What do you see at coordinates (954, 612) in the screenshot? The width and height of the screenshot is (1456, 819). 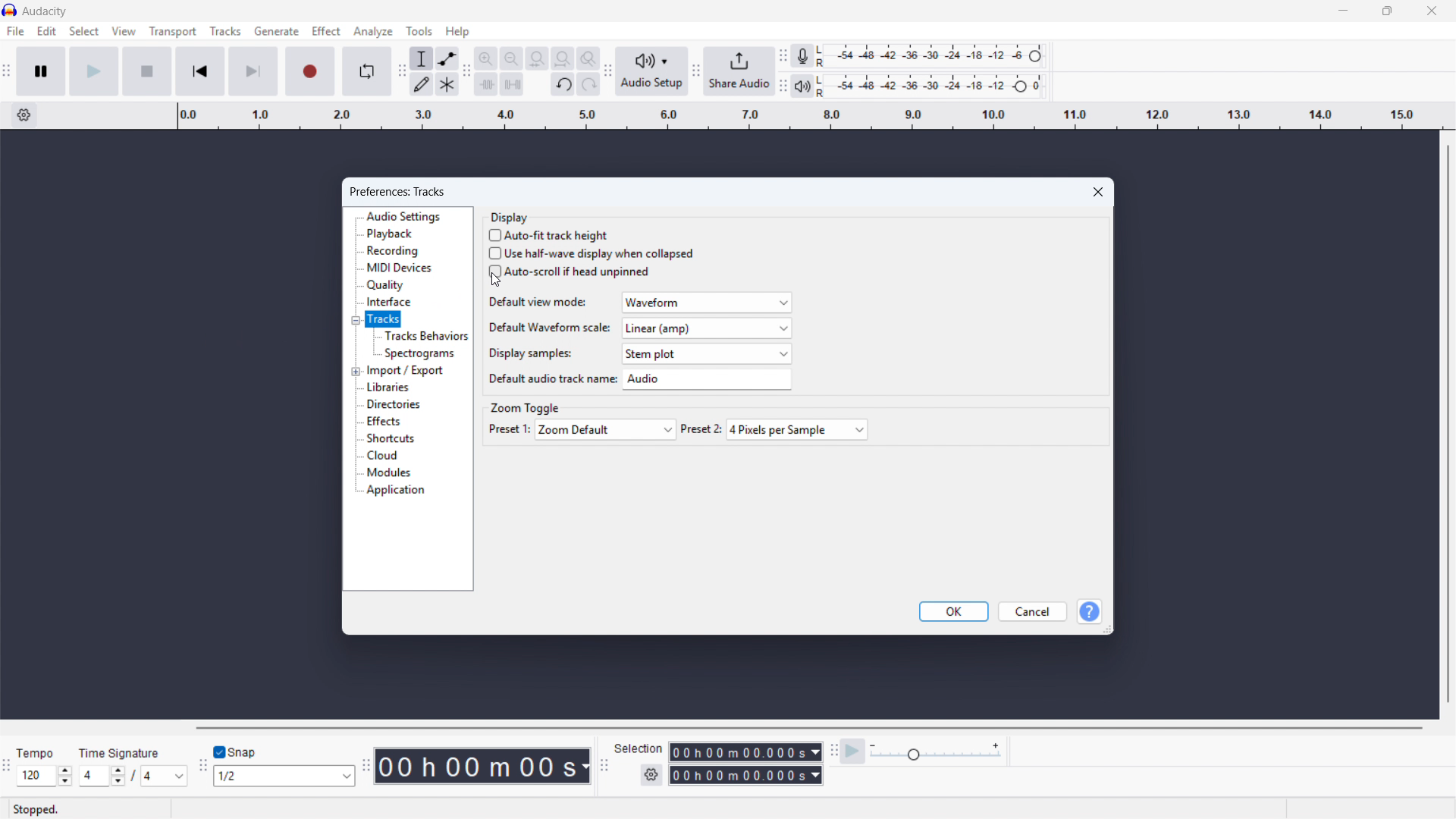 I see `ok` at bounding box center [954, 612].